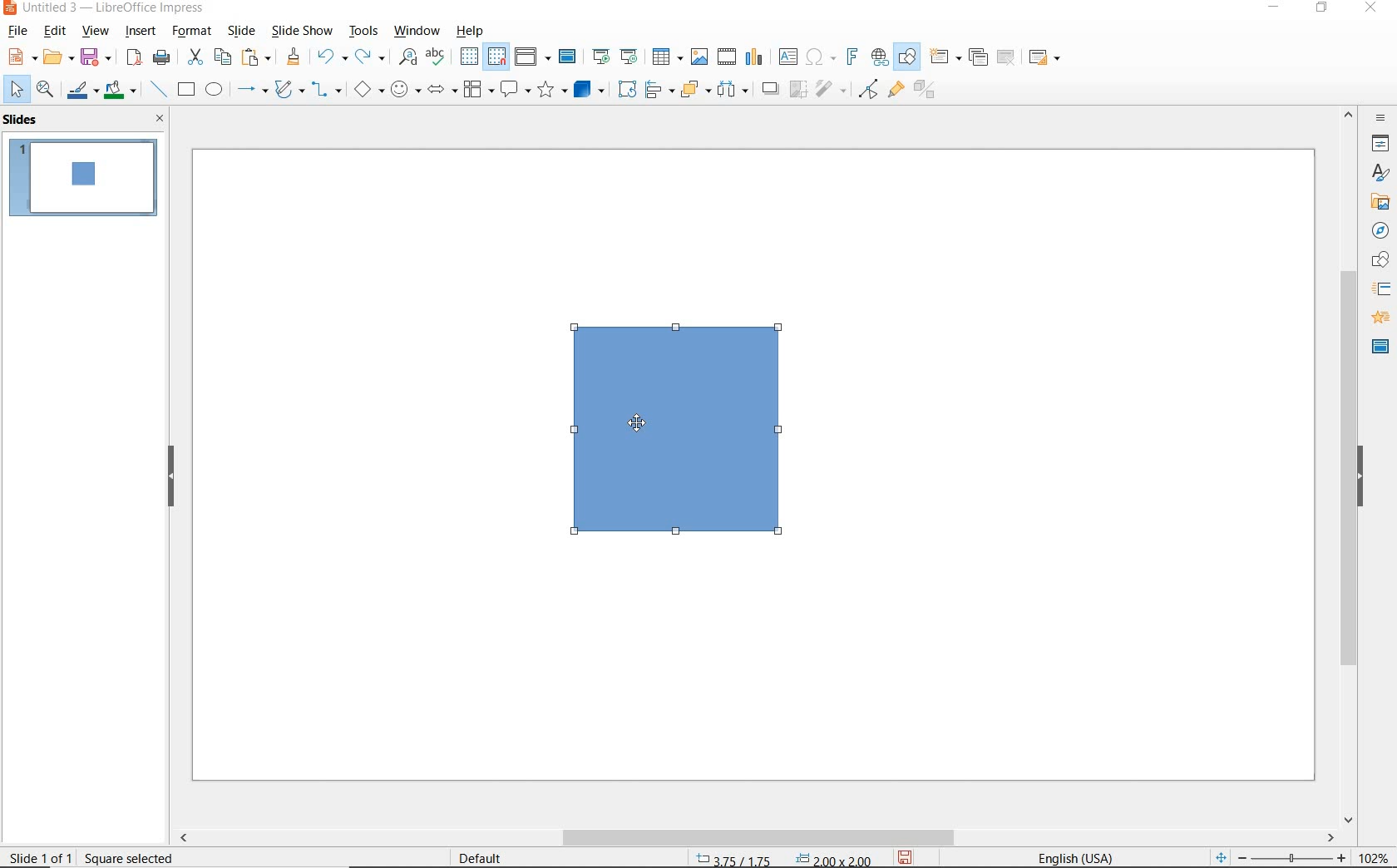 The width and height of the screenshot is (1397, 868). What do you see at coordinates (303, 32) in the screenshot?
I see `slide show` at bounding box center [303, 32].